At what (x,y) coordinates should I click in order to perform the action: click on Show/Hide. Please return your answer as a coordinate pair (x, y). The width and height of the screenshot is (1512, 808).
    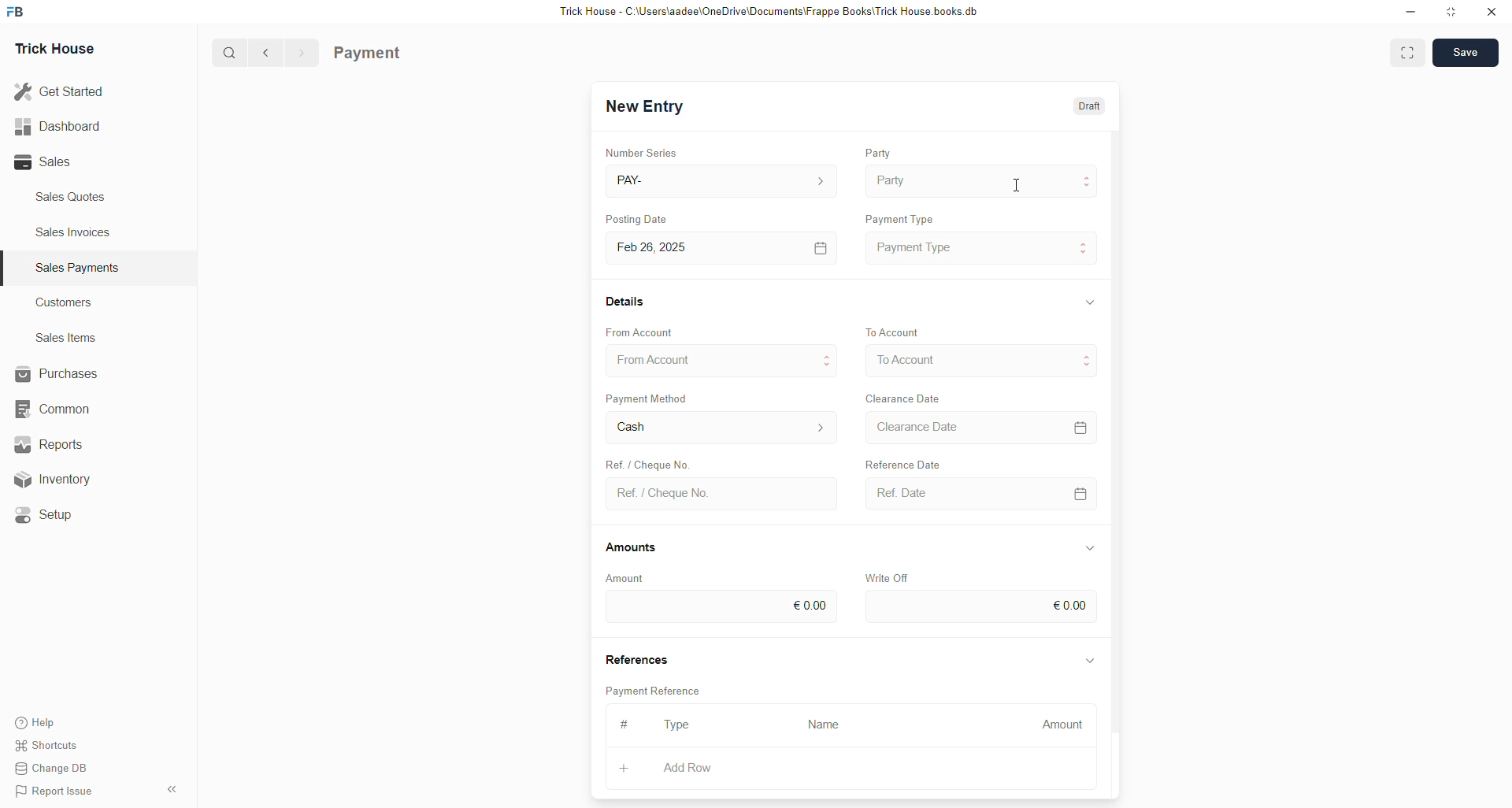
    Looking at the image, I should click on (1091, 662).